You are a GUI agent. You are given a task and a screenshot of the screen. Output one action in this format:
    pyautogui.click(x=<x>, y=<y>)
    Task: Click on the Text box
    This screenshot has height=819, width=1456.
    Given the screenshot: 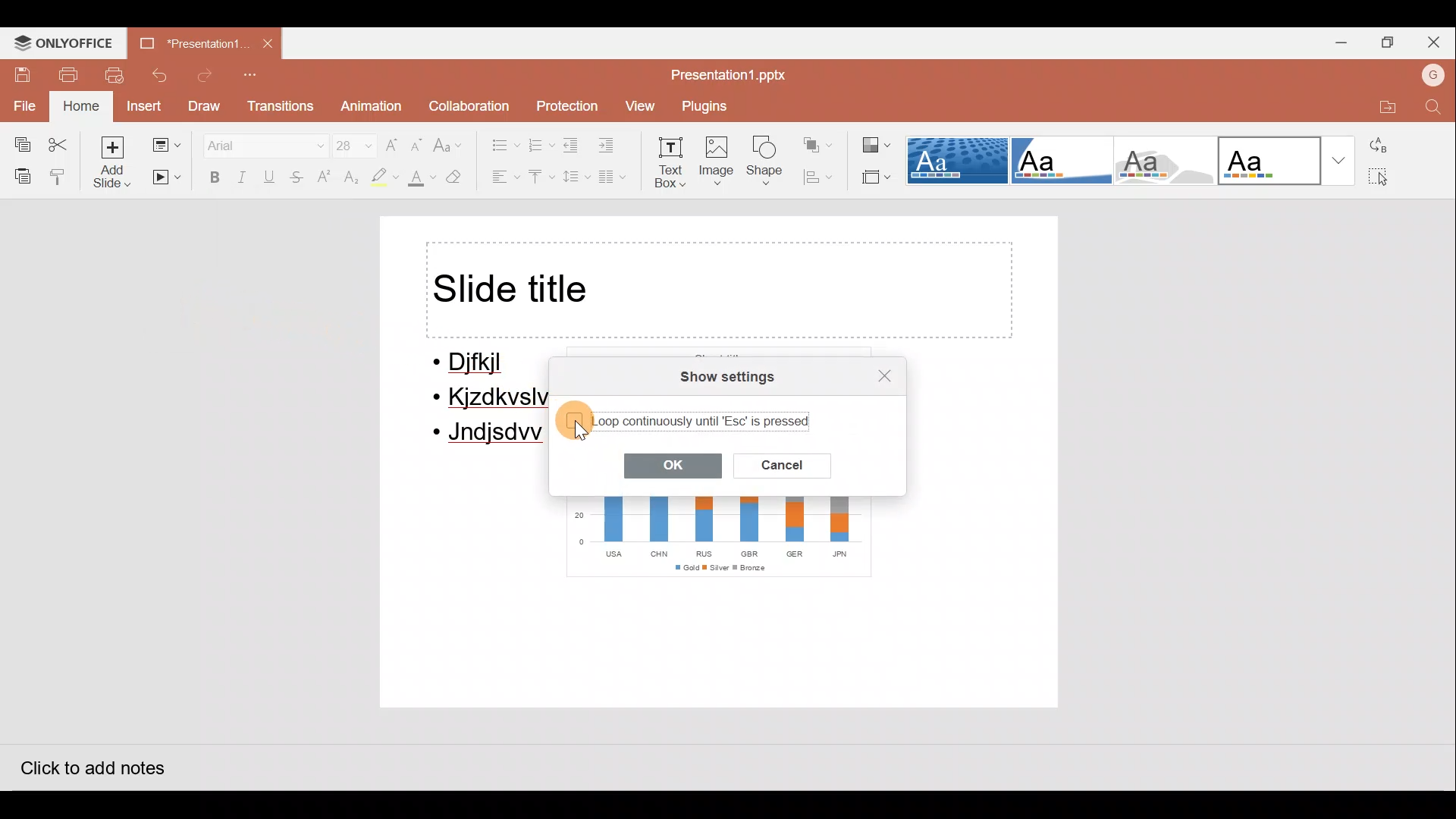 What is the action you would take?
    pyautogui.click(x=672, y=162)
    